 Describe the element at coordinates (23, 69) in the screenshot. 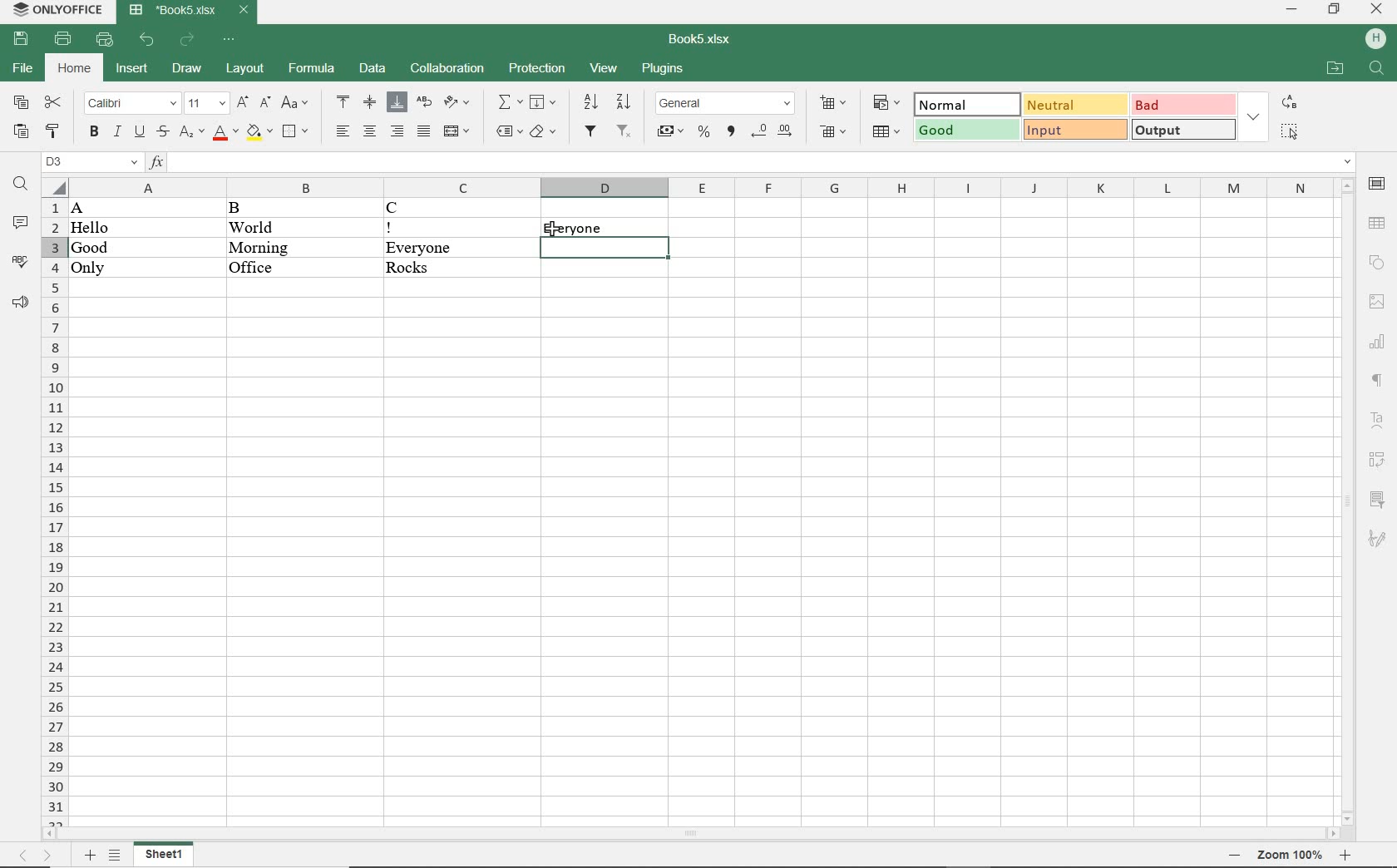

I see `file` at that location.